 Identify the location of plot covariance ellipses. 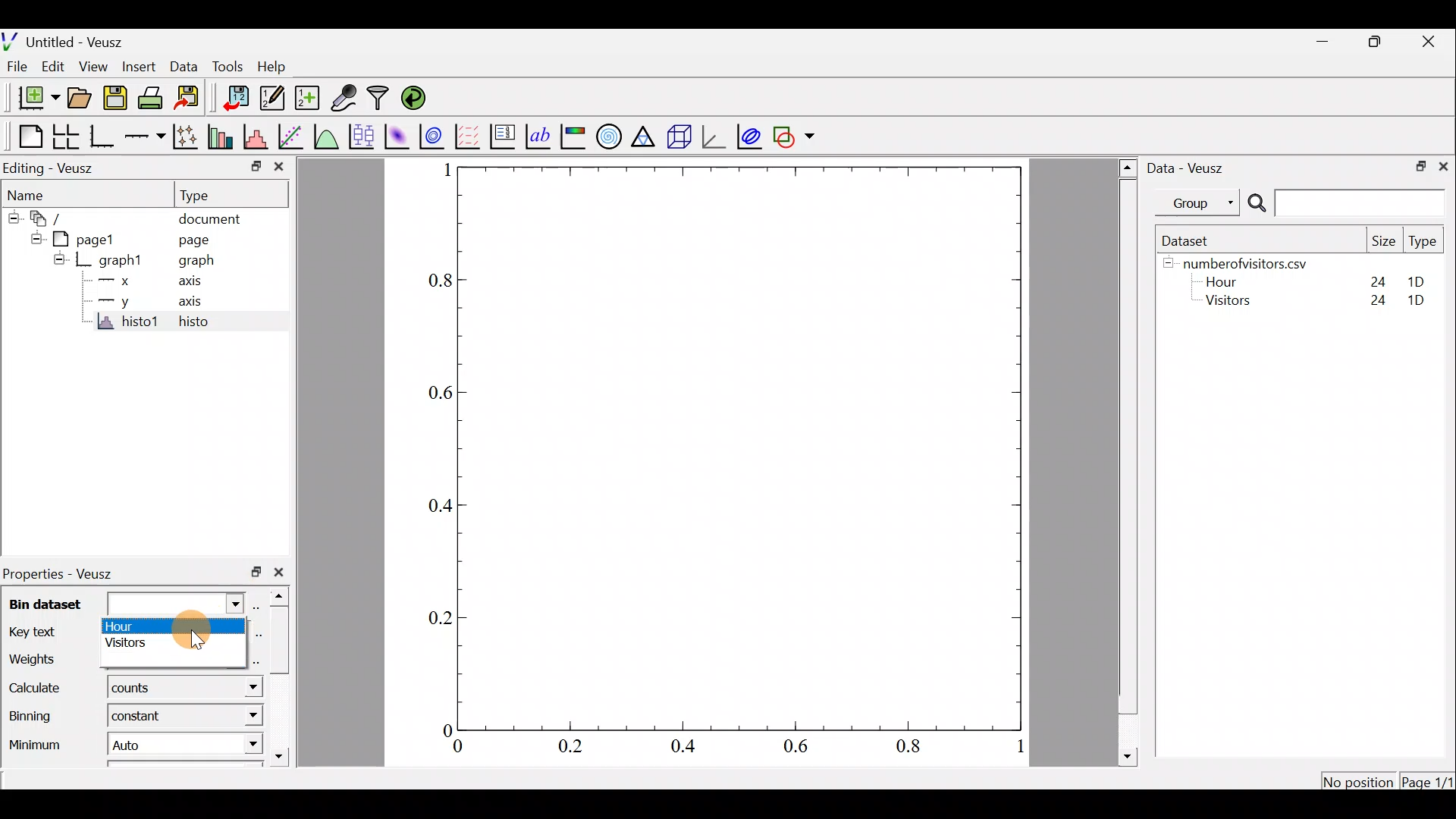
(747, 139).